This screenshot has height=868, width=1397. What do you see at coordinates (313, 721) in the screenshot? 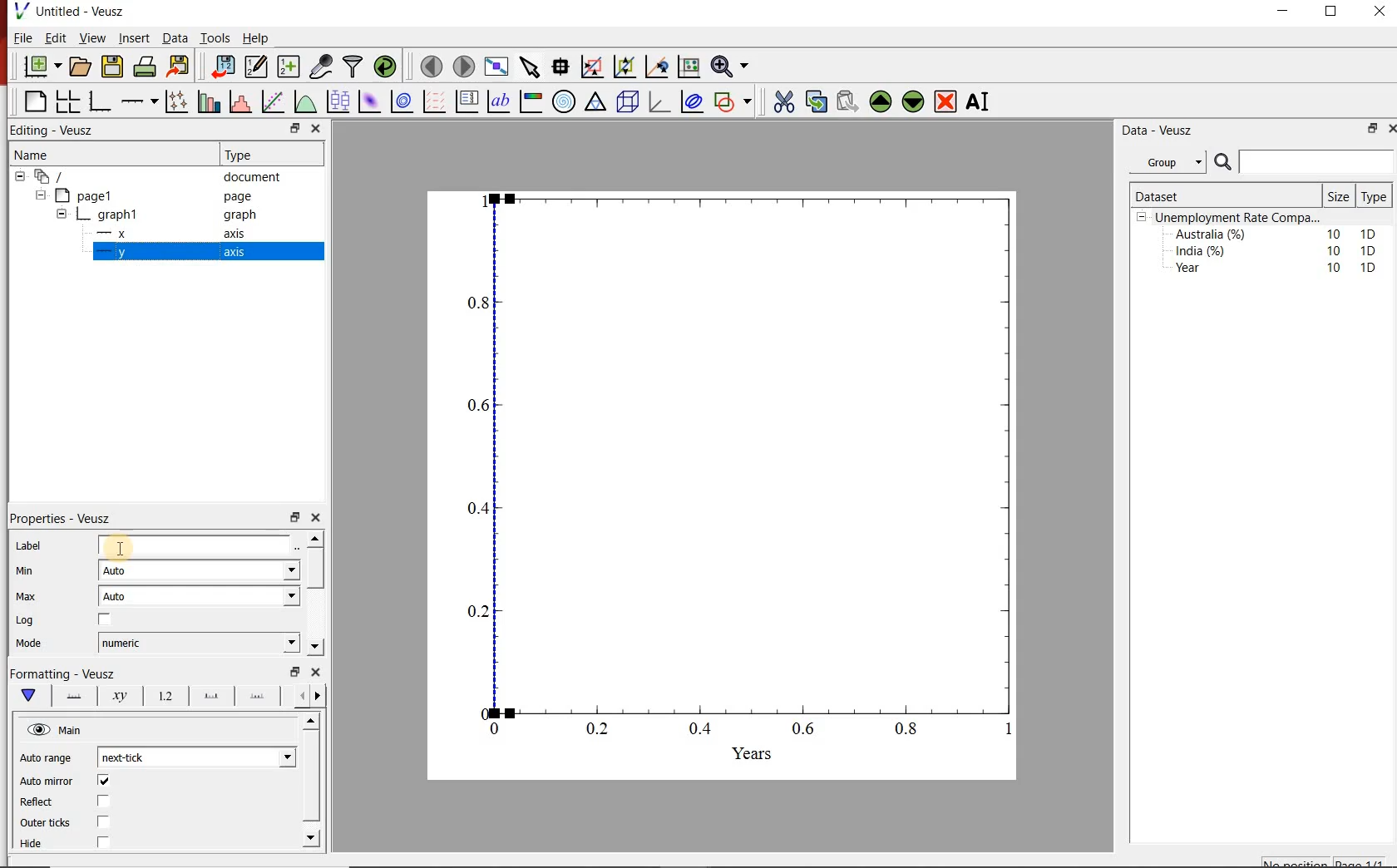
I see `move up` at bounding box center [313, 721].